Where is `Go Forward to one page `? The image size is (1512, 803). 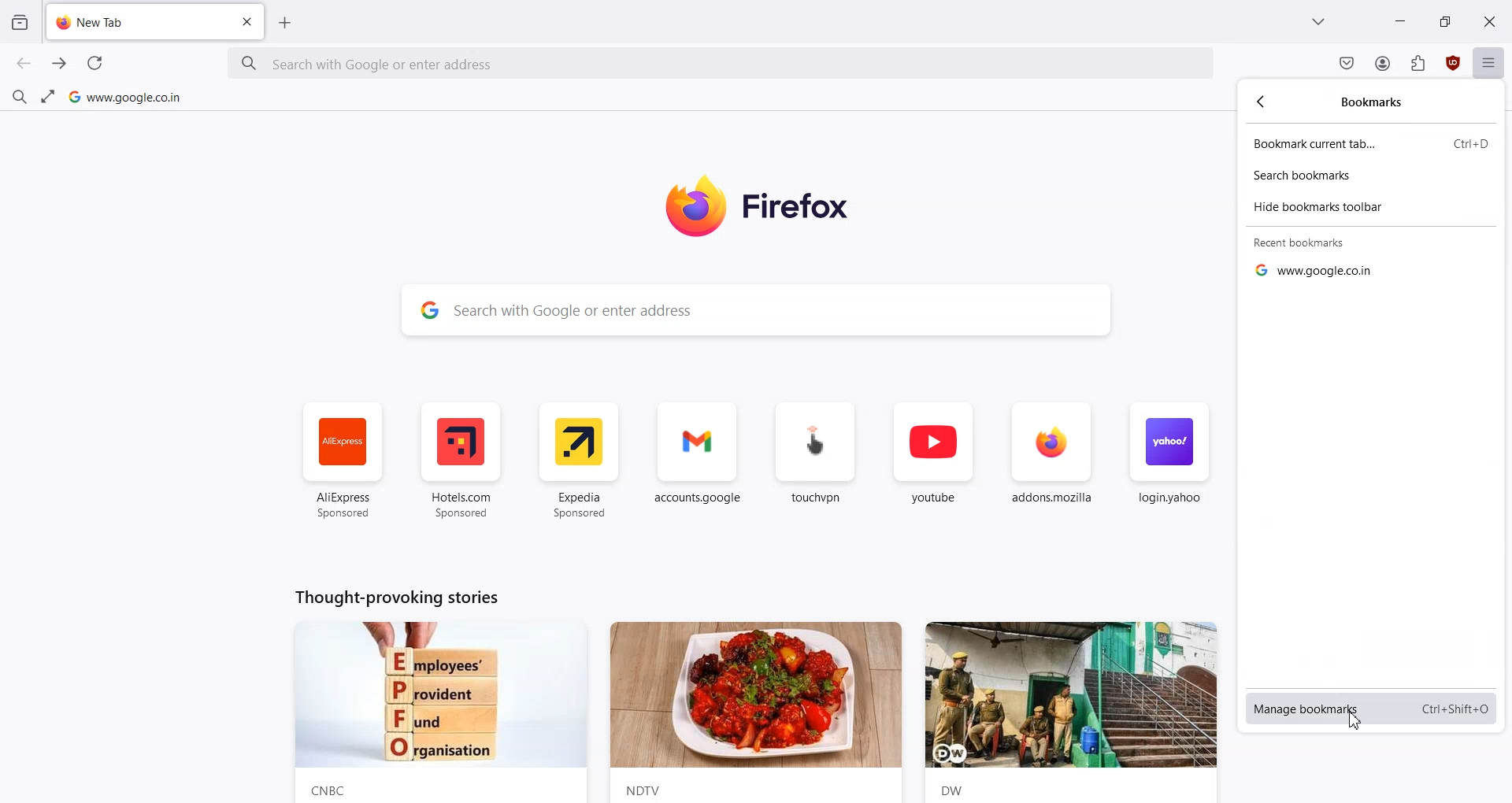 Go Forward to one page  is located at coordinates (60, 64).